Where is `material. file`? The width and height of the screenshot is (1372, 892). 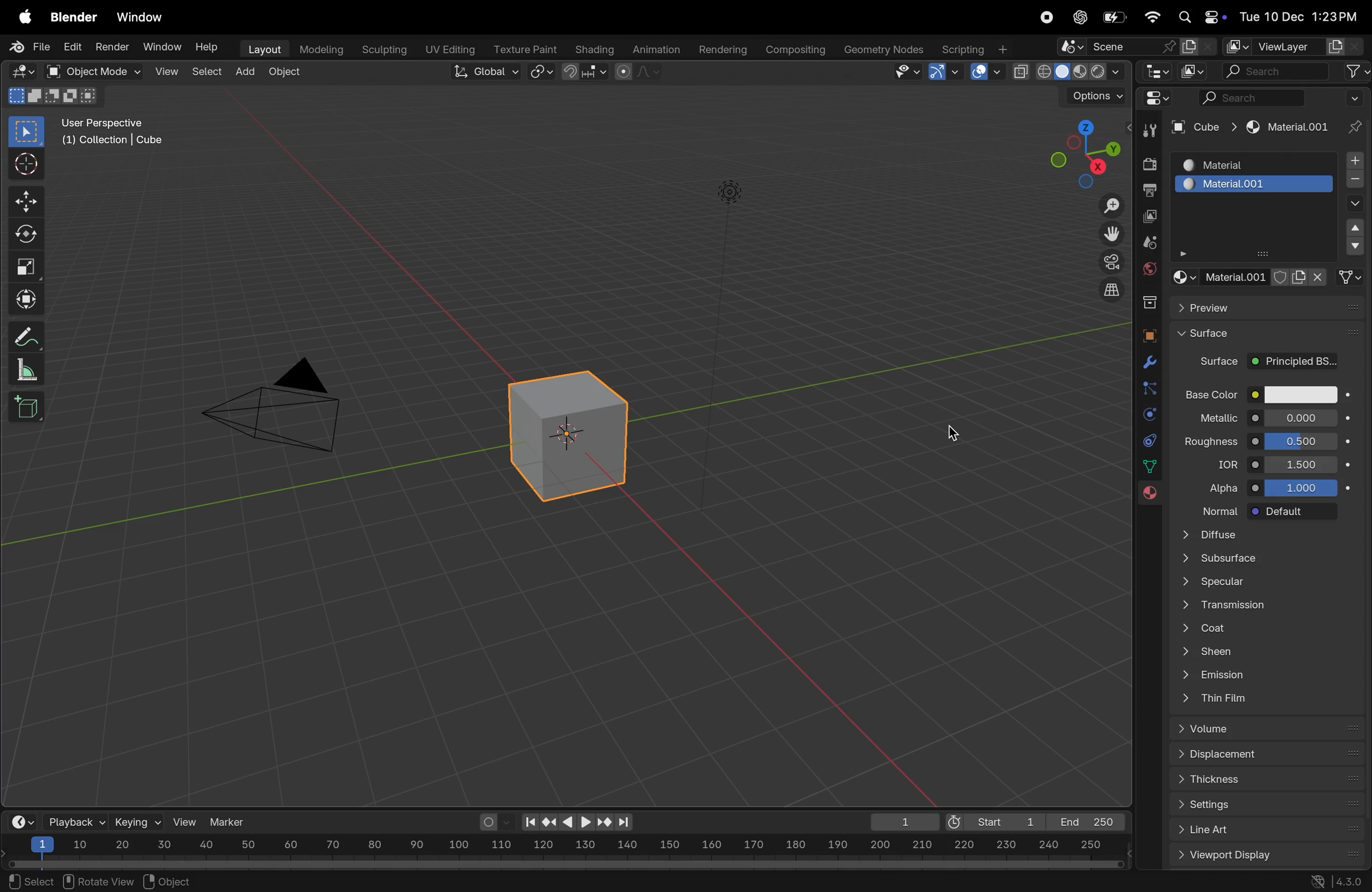
material. file is located at coordinates (1261, 276).